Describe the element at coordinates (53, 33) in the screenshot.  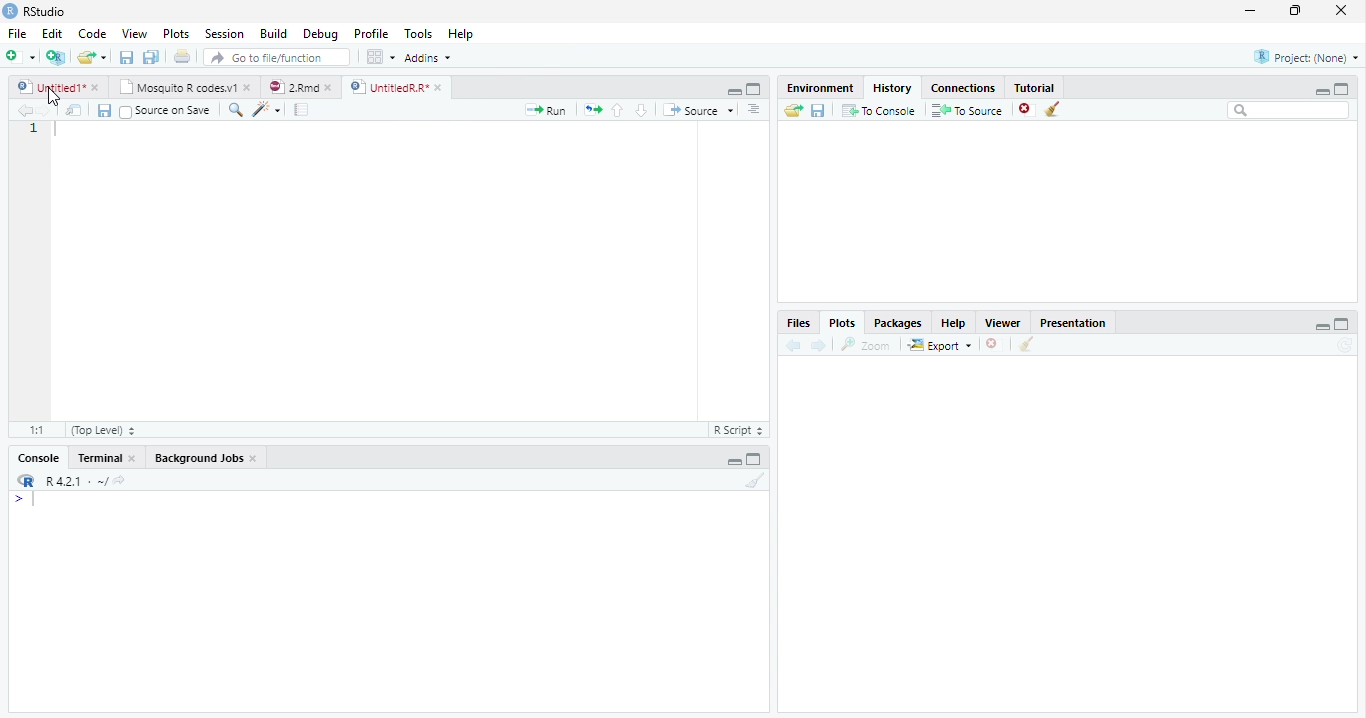
I see `Edit` at that location.